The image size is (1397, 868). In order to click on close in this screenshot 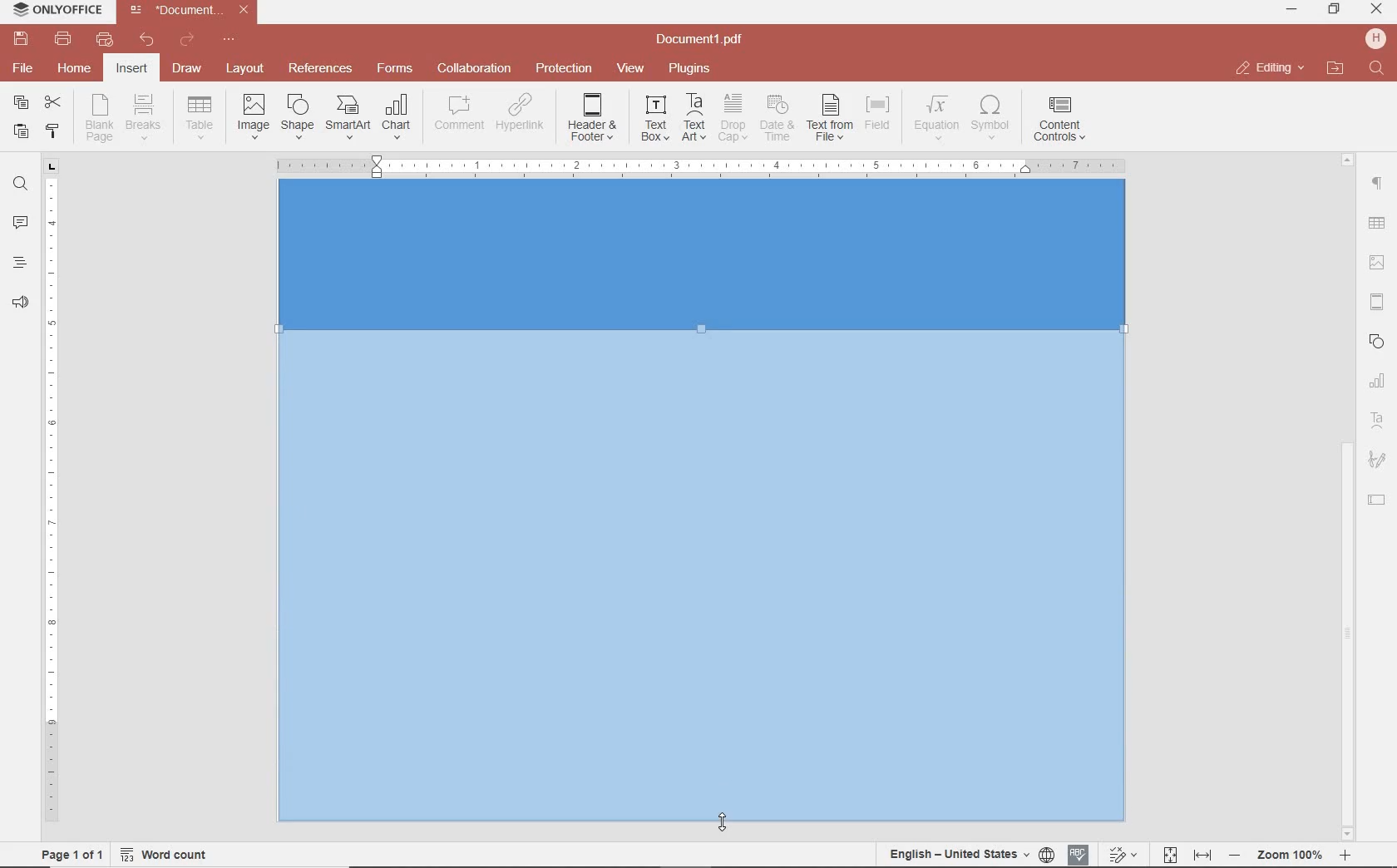, I will do `click(1269, 68)`.